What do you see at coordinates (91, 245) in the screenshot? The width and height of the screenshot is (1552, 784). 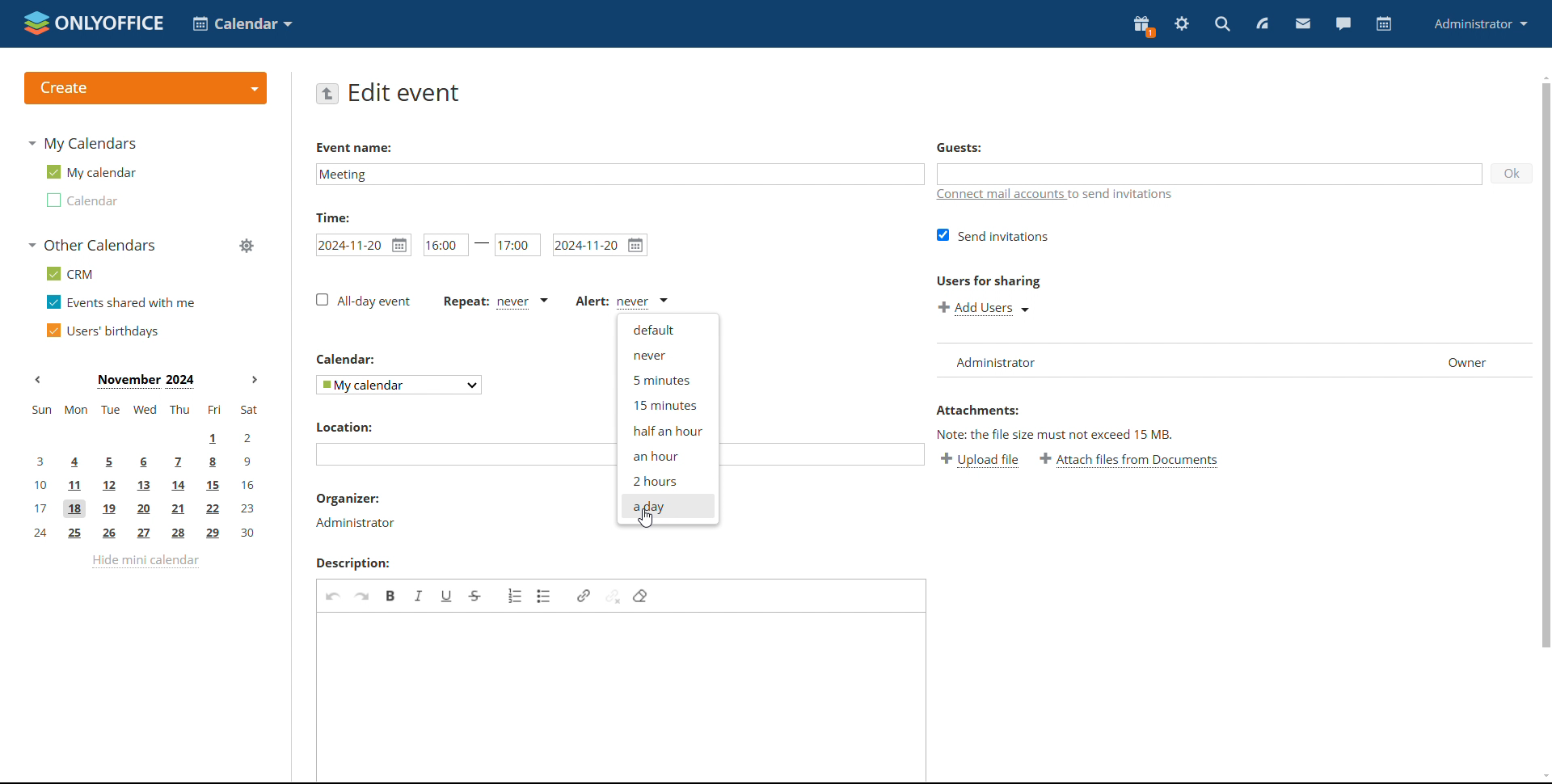 I see `other calendars` at bounding box center [91, 245].